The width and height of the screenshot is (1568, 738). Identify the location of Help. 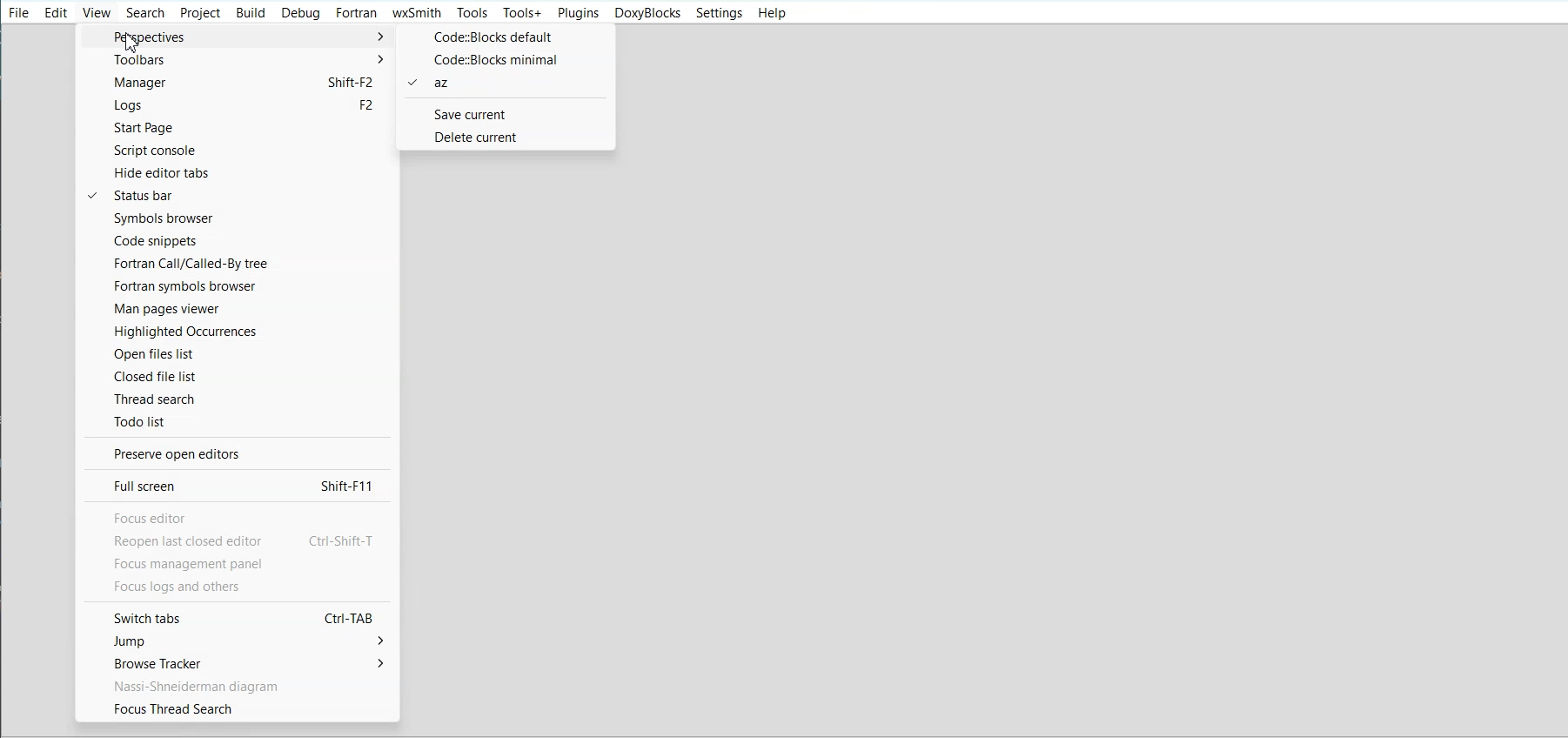
(770, 14).